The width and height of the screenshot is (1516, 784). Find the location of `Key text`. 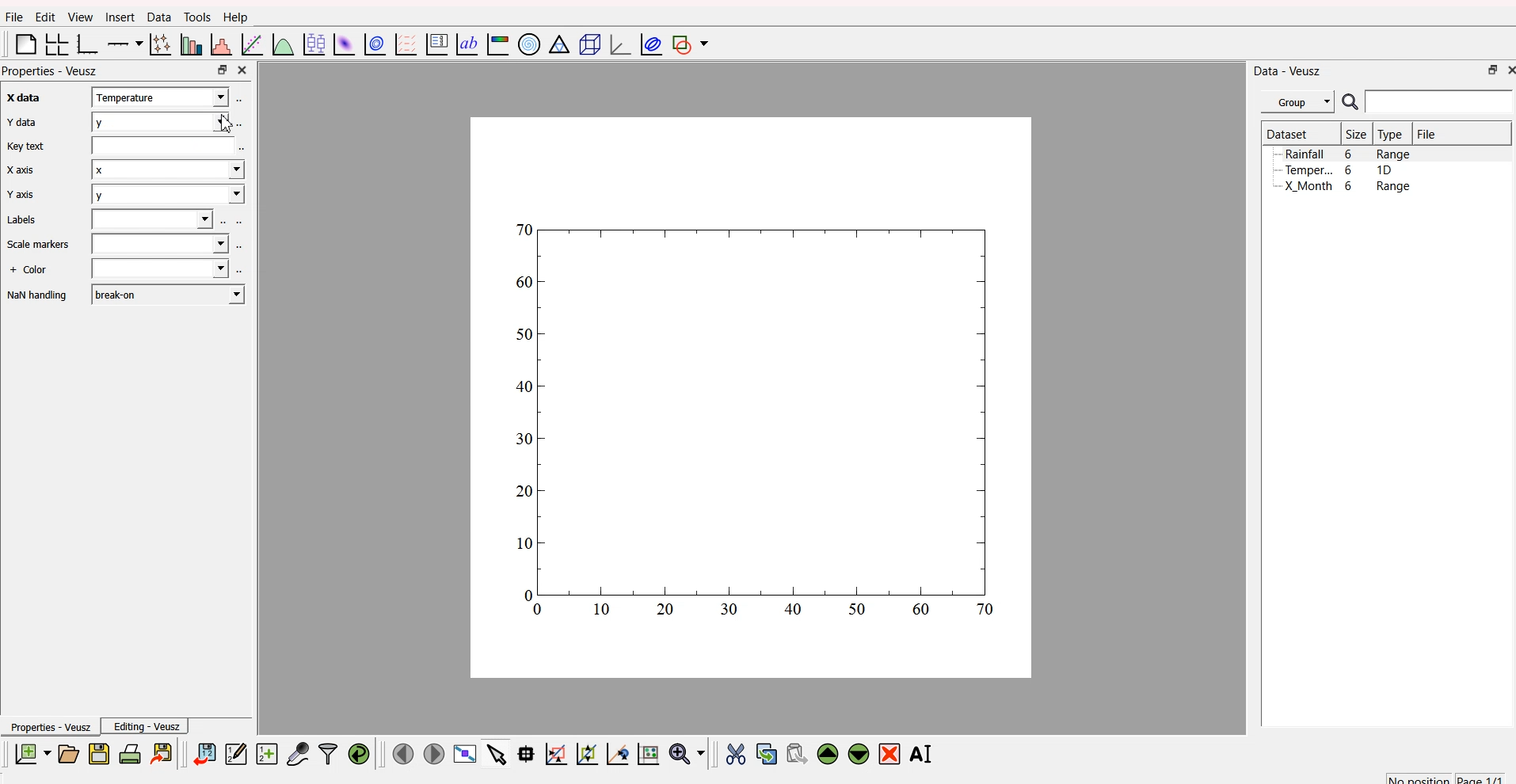

Key text is located at coordinates (27, 147).